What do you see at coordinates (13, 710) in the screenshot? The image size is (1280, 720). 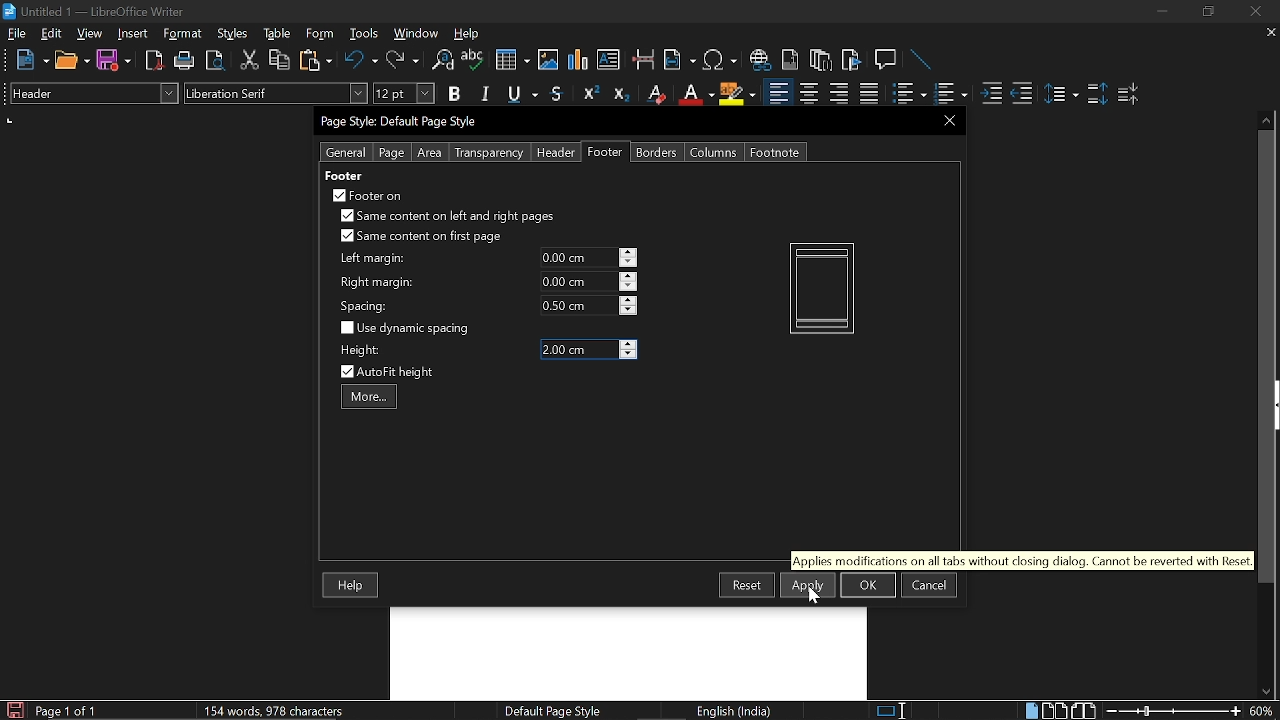 I see `Save` at bounding box center [13, 710].